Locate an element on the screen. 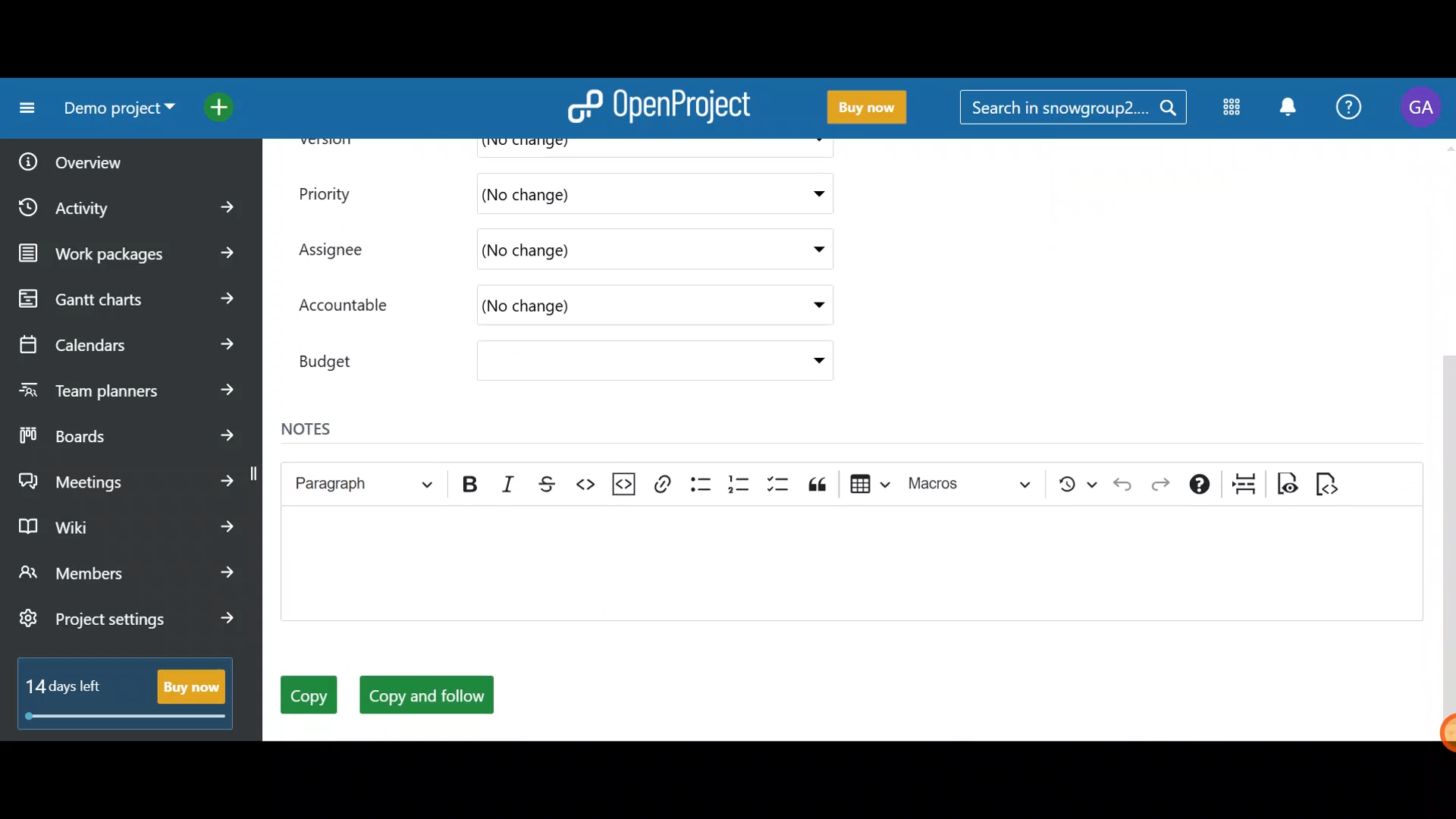 The width and height of the screenshot is (1456, 819). 14 days left - Buy now is located at coordinates (118, 690).